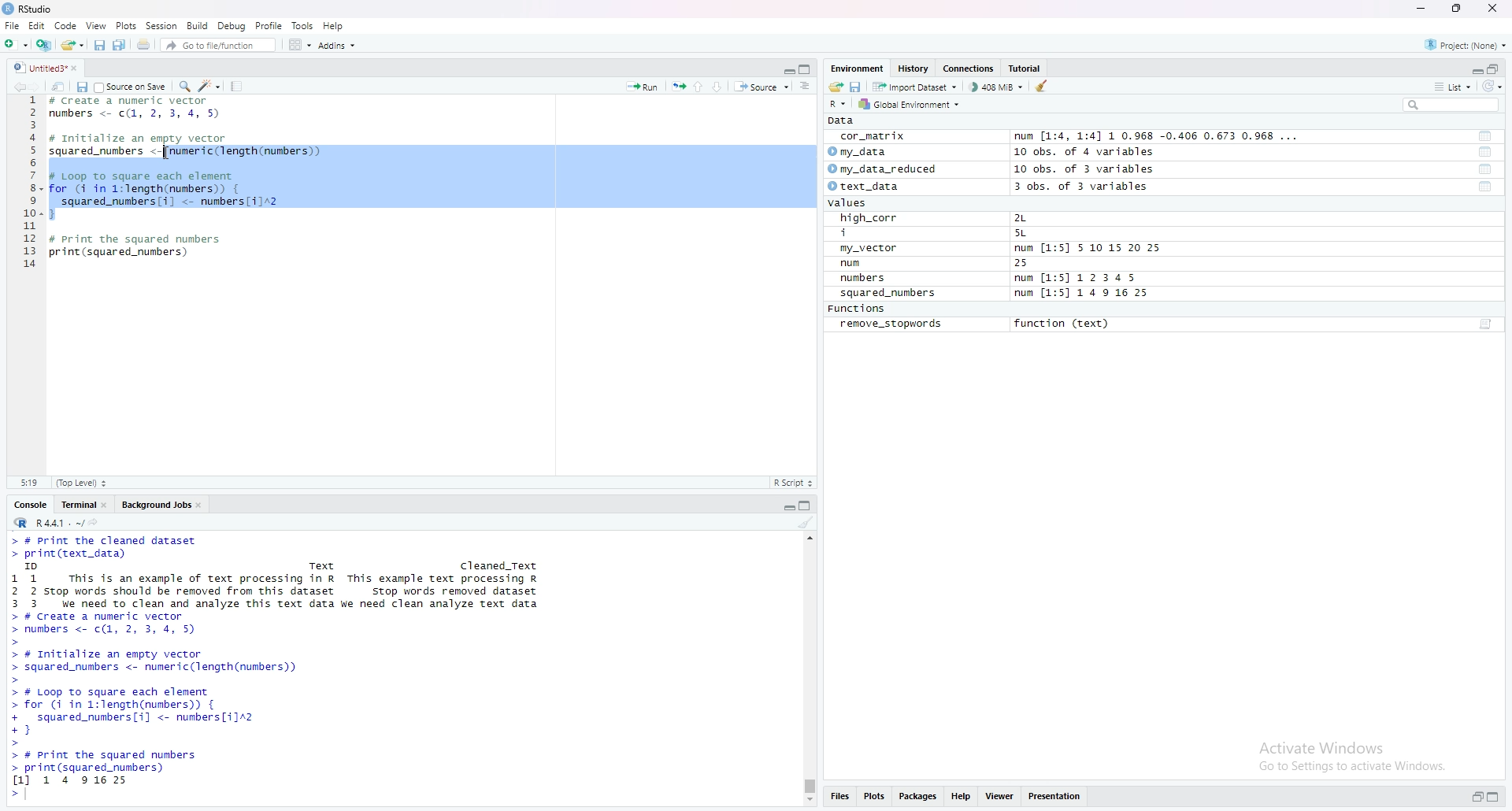 This screenshot has height=811, width=1512. I want to click on RStudio, so click(30, 9).